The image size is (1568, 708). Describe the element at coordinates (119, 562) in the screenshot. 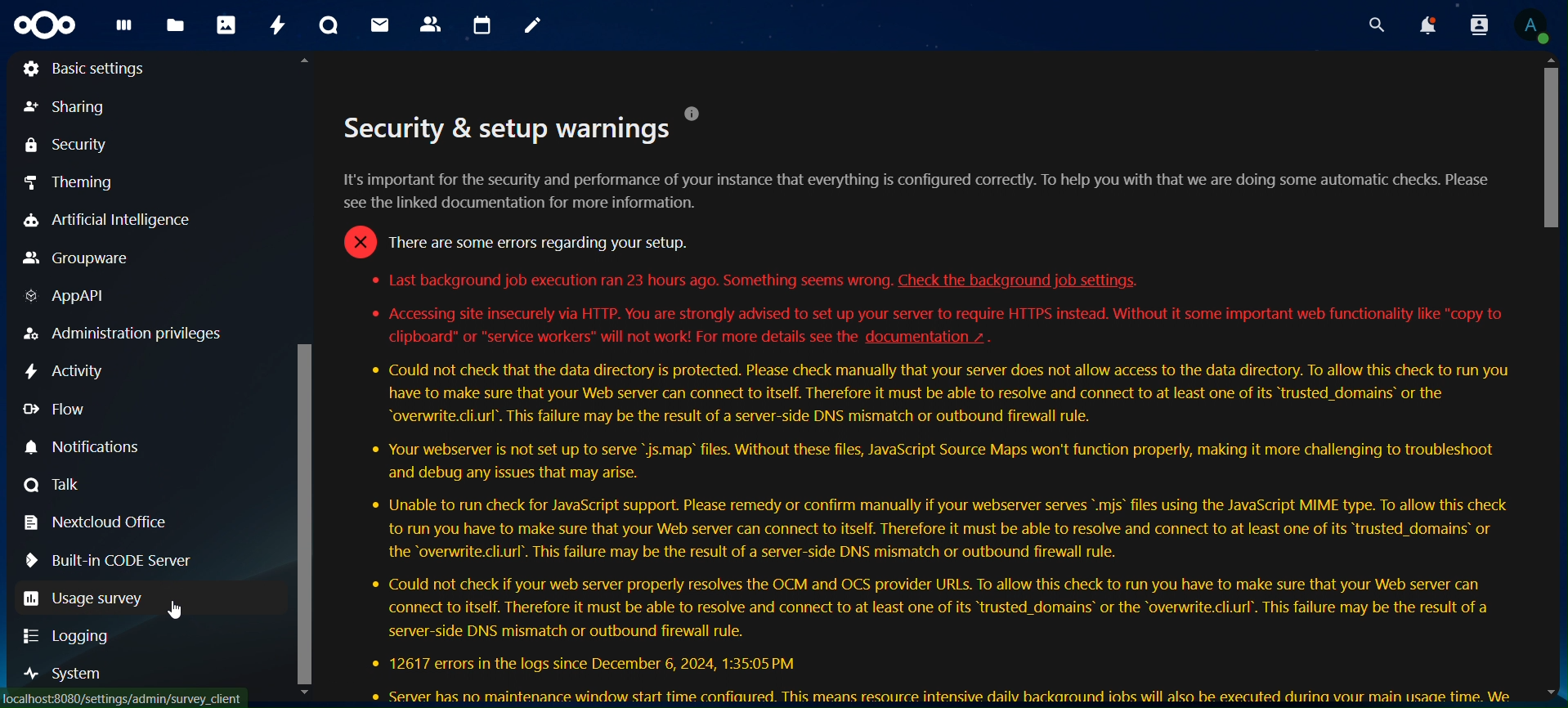

I see `bulit in code server` at that location.